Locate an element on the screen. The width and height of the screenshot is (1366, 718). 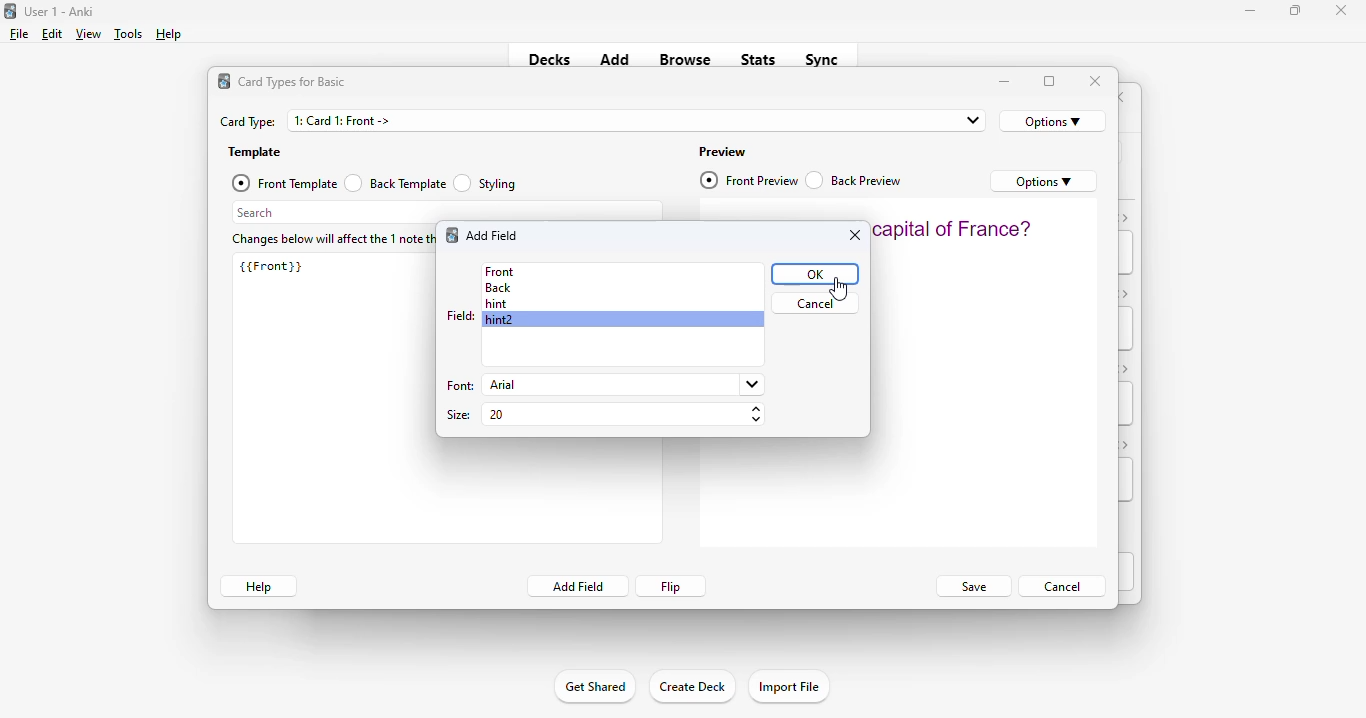
get shared is located at coordinates (594, 686).